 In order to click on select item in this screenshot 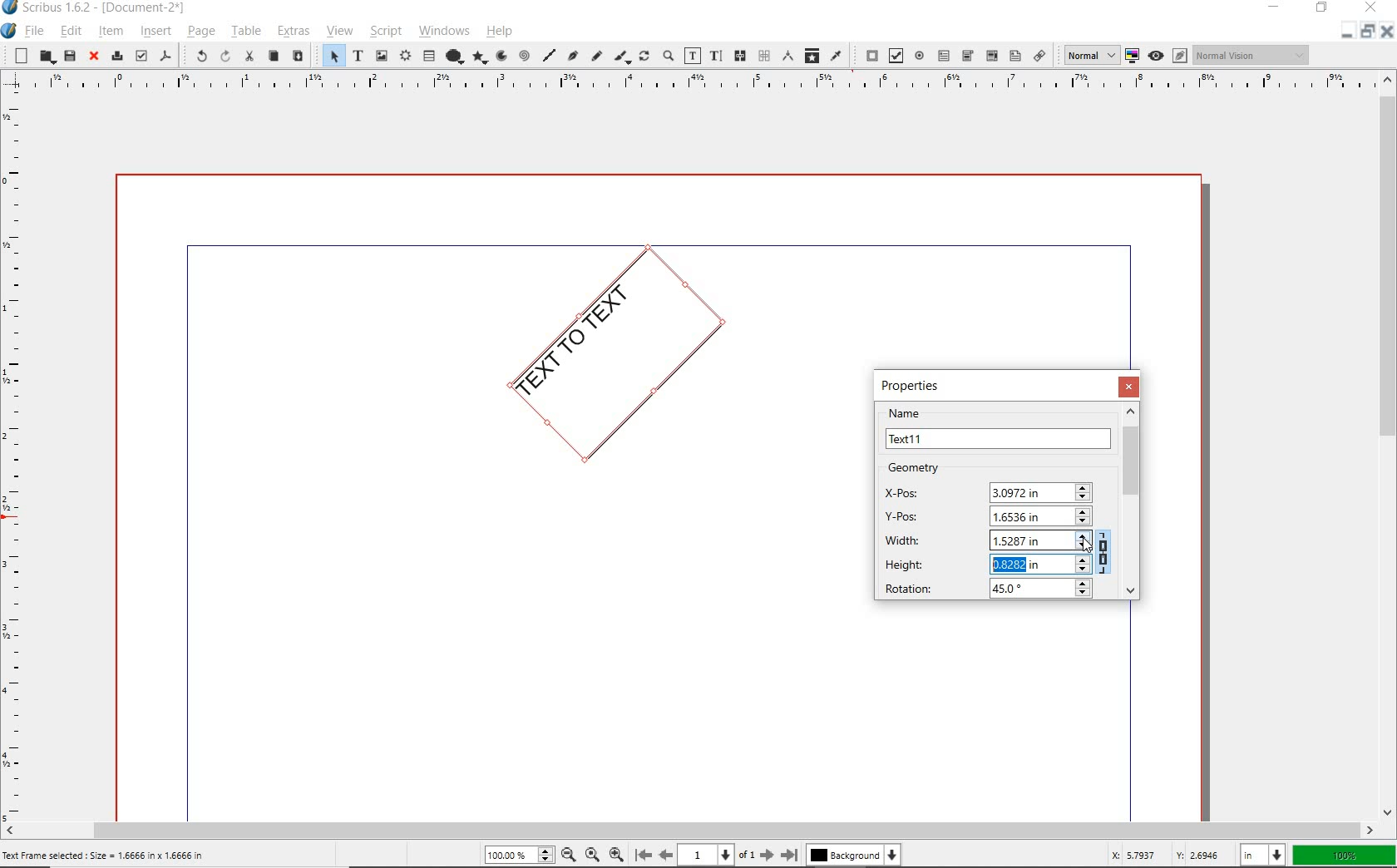, I will do `click(330, 55)`.